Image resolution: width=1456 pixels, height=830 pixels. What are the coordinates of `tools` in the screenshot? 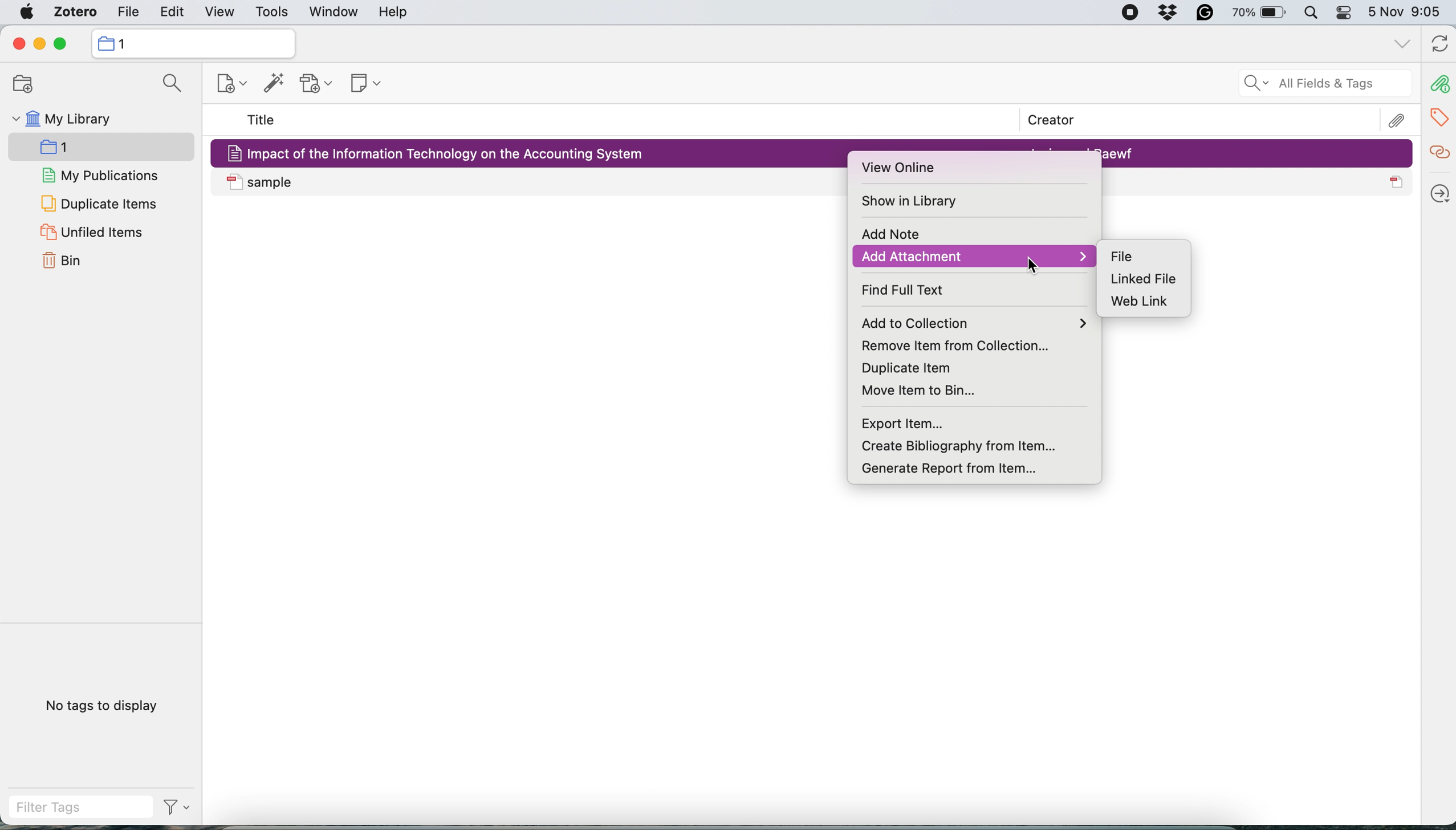 It's located at (271, 13).